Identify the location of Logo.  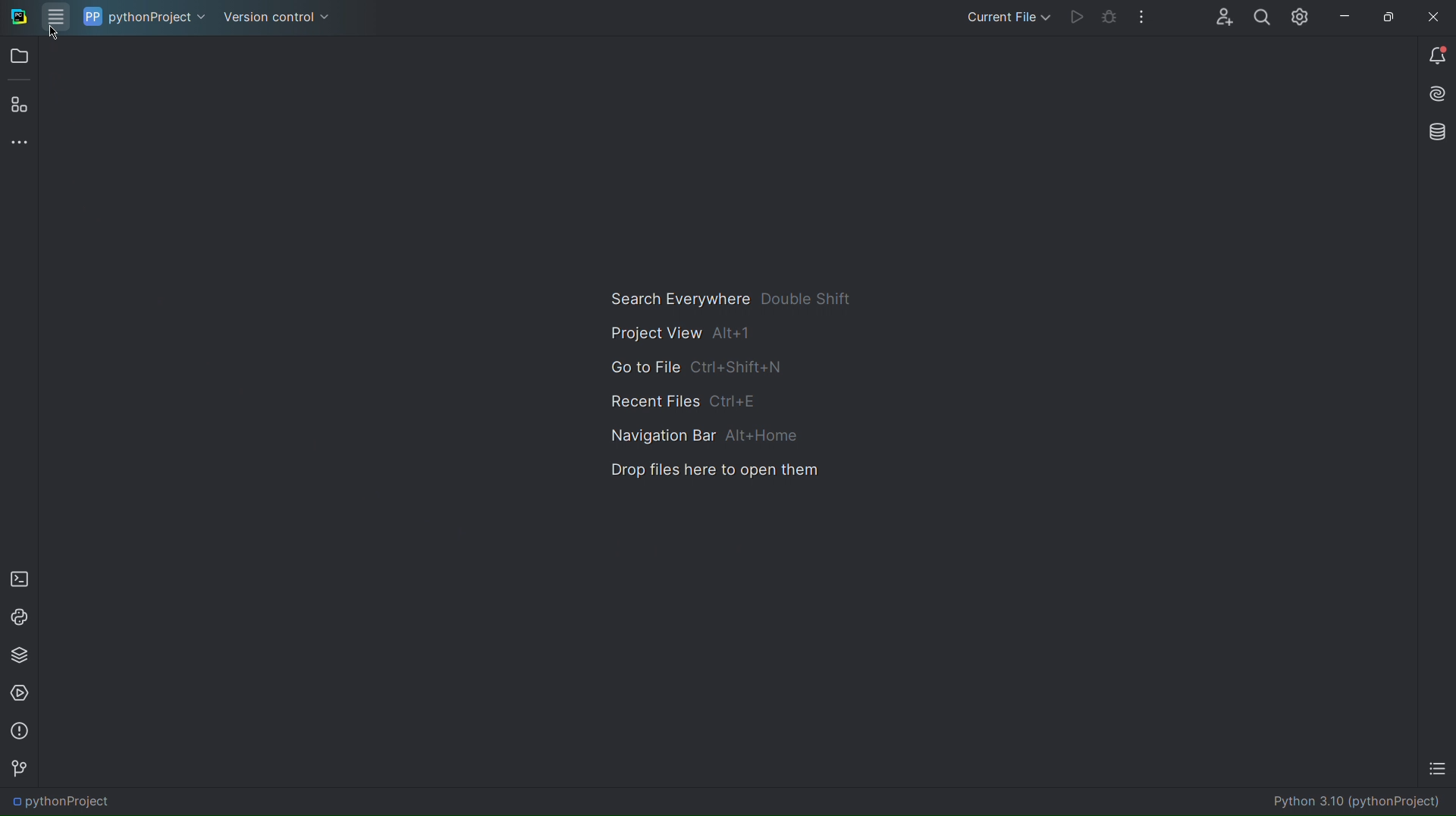
(17, 19).